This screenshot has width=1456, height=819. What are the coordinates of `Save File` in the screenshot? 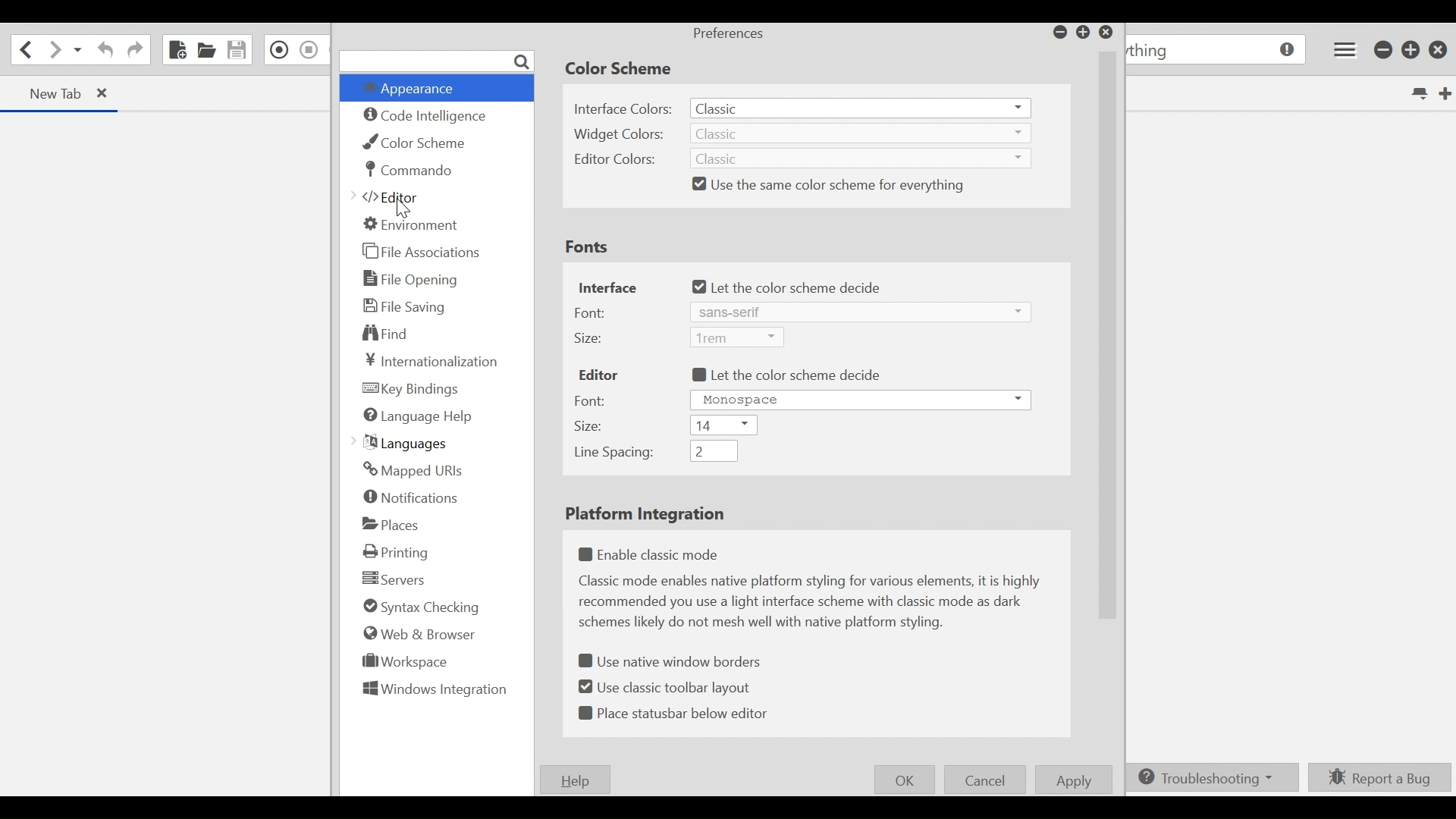 It's located at (236, 50).